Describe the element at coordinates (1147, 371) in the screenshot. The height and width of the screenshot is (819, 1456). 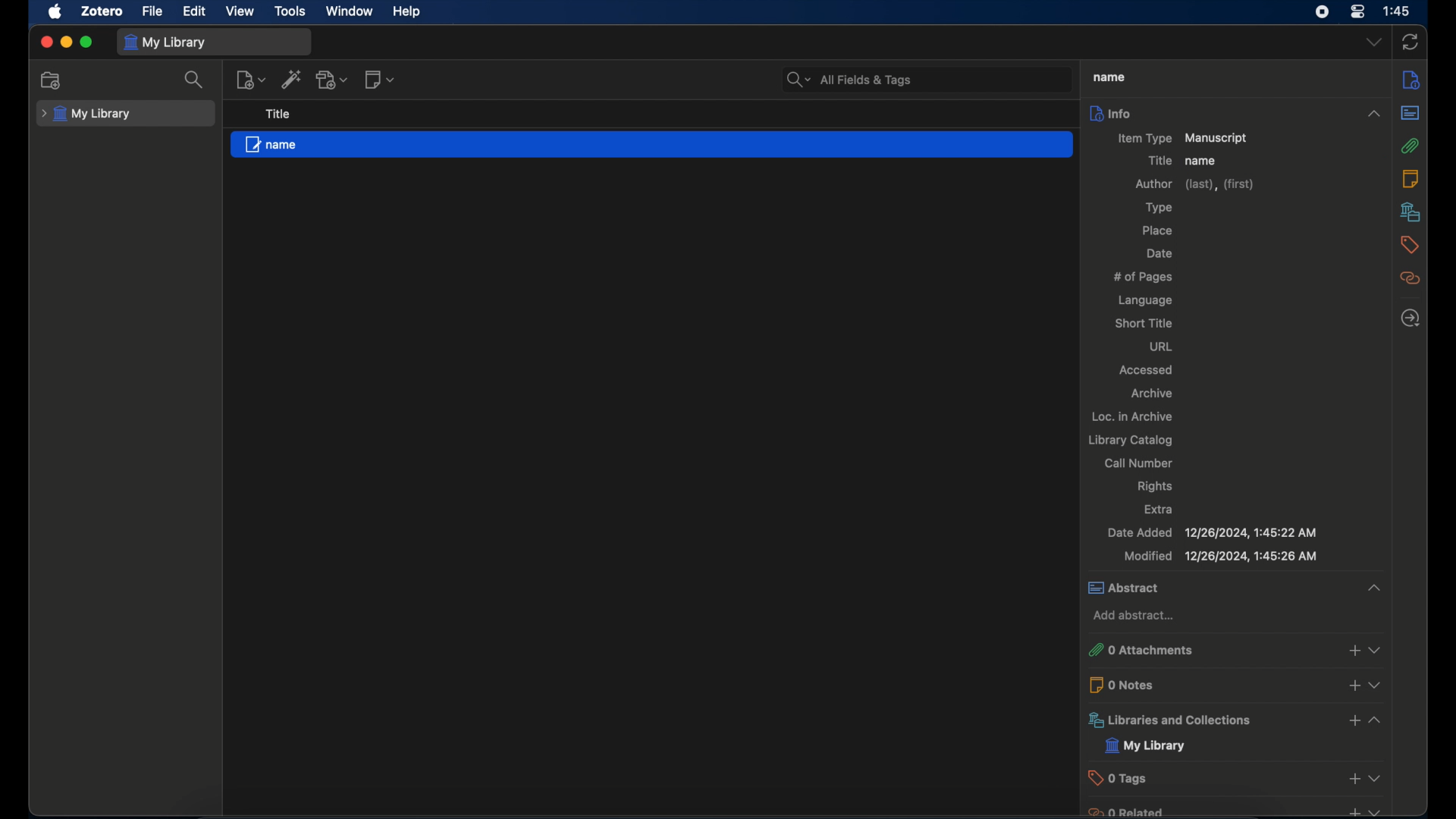
I see `accessed` at that location.